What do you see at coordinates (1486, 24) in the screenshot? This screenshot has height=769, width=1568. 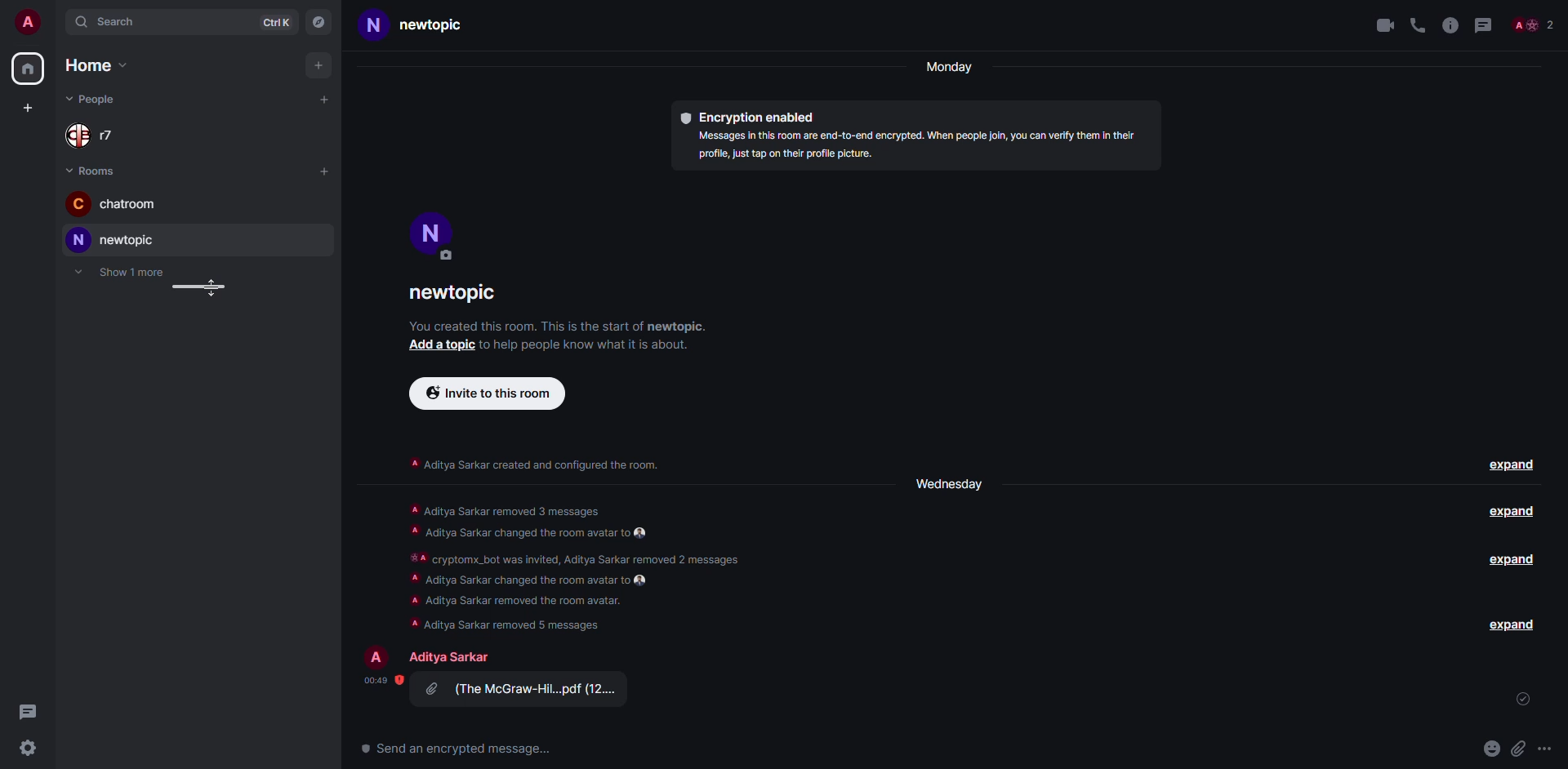 I see `threads` at bounding box center [1486, 24].